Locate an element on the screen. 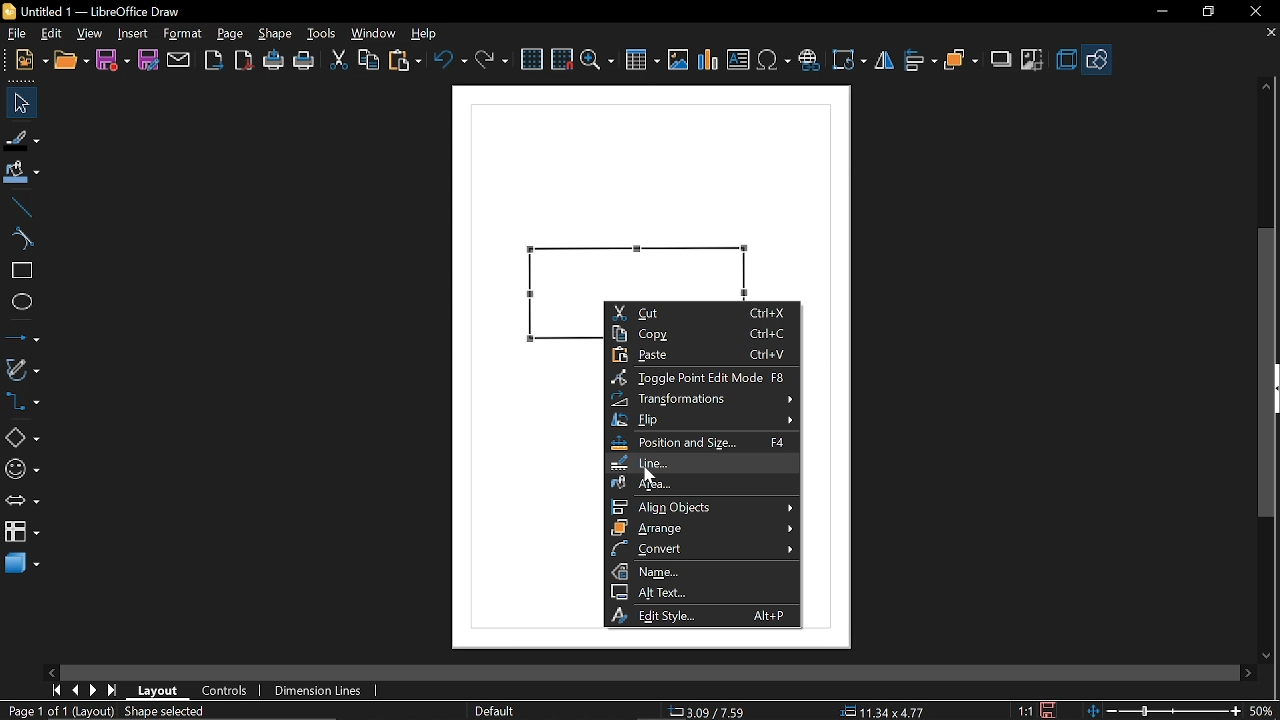 The width and height of the screenshot is (1280, 720). Export is located at coordinates (214, 60).